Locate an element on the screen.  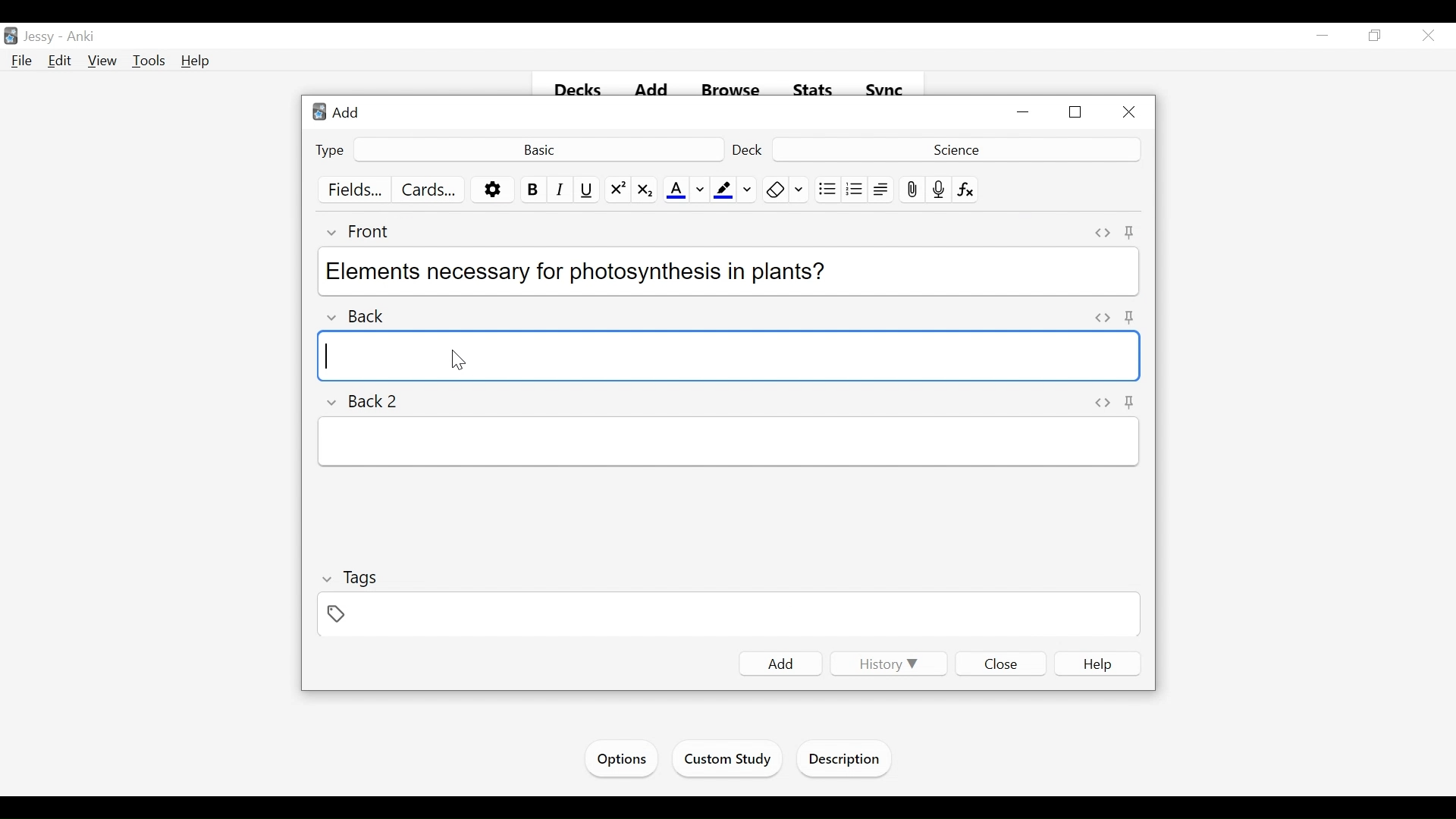
Add is located at coordinates (340, 111).